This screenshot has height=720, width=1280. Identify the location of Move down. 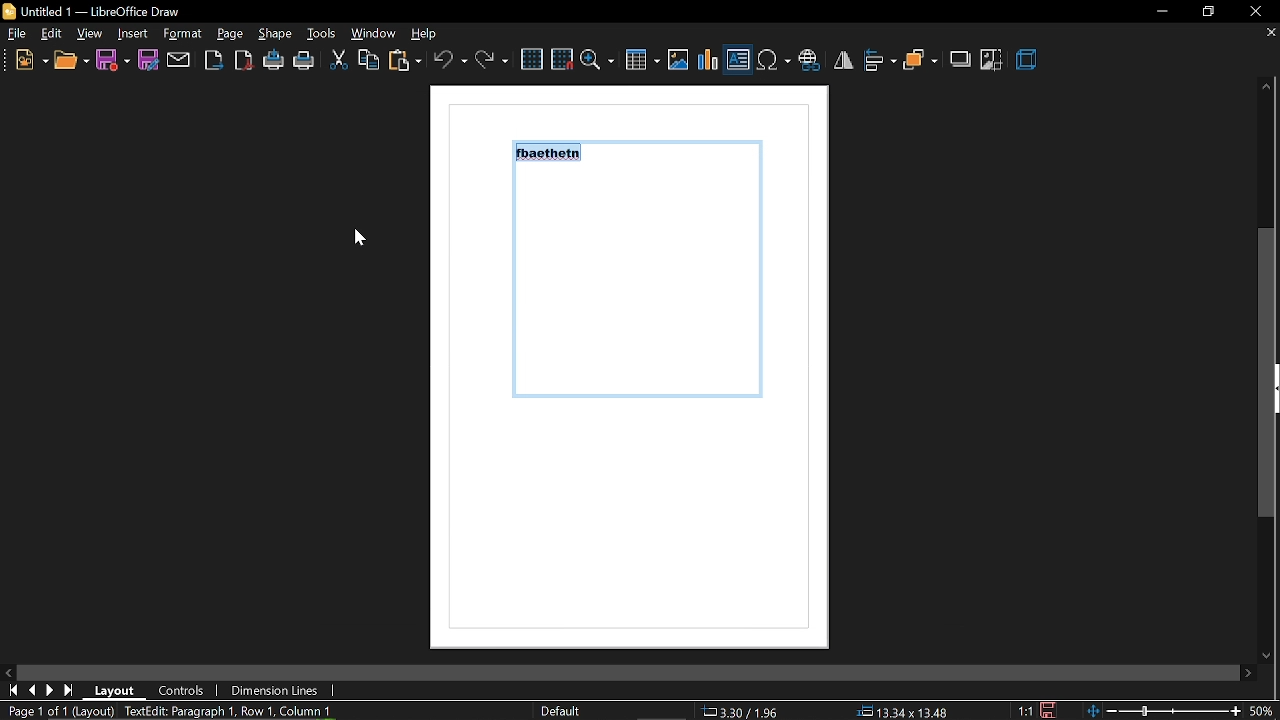
(1269, 655).